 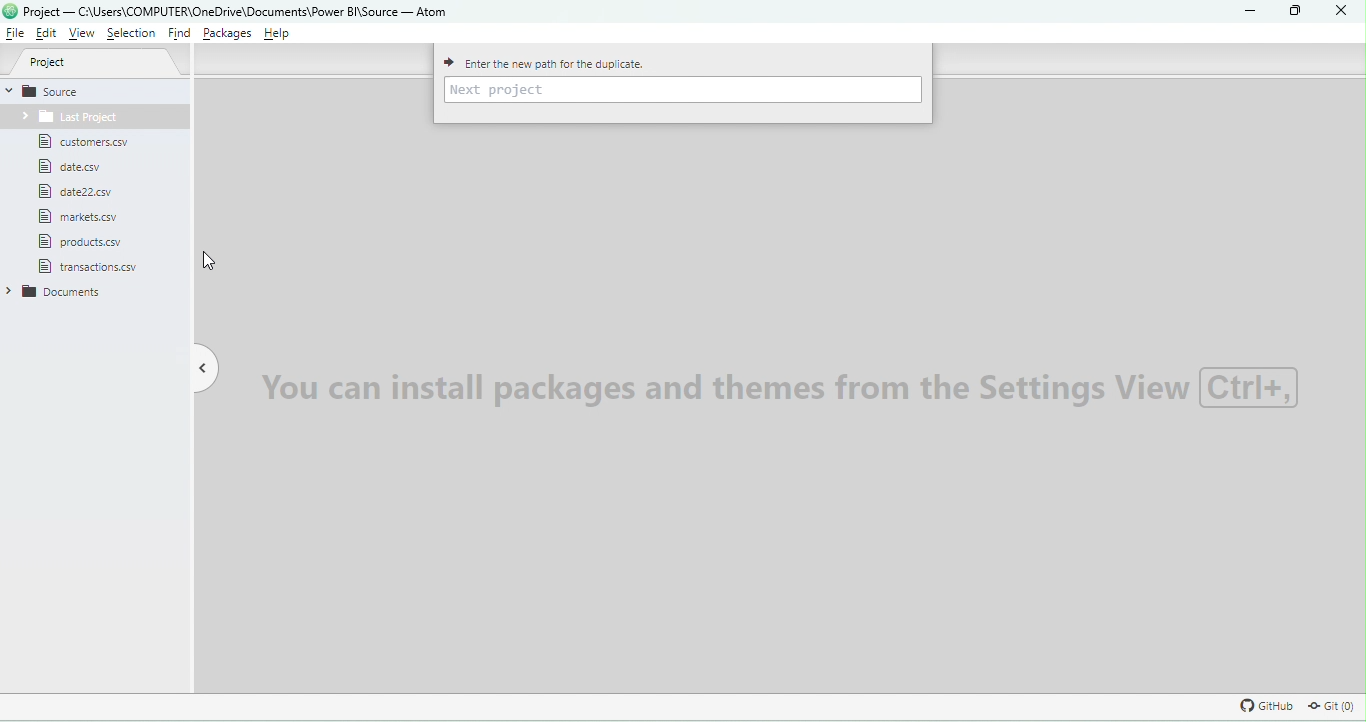 I want to click on Project, so click(x=97, y=63).